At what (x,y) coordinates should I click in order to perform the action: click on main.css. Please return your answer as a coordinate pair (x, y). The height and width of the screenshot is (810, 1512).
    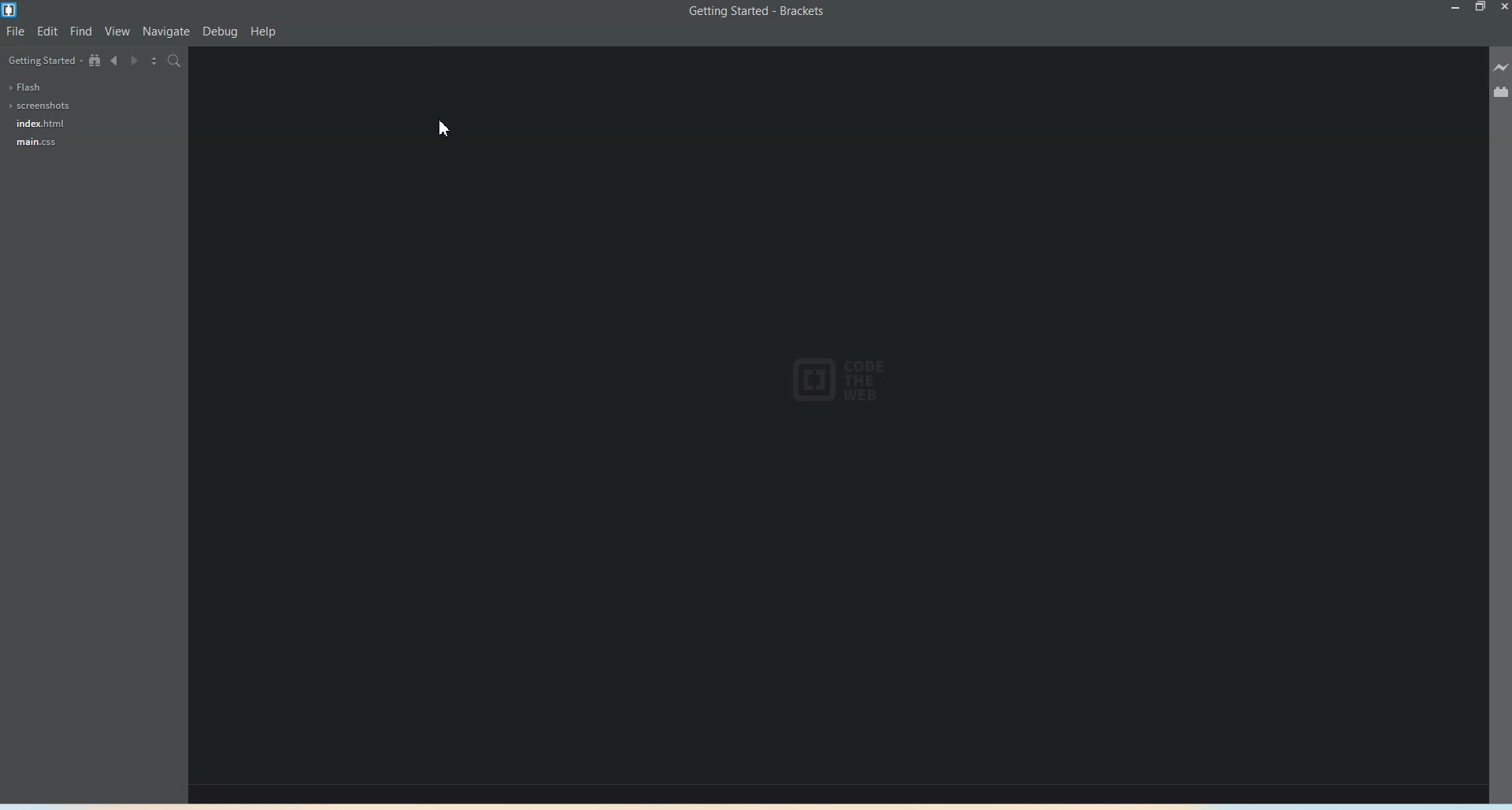
    Looking at the image, I should click on (34, 141).